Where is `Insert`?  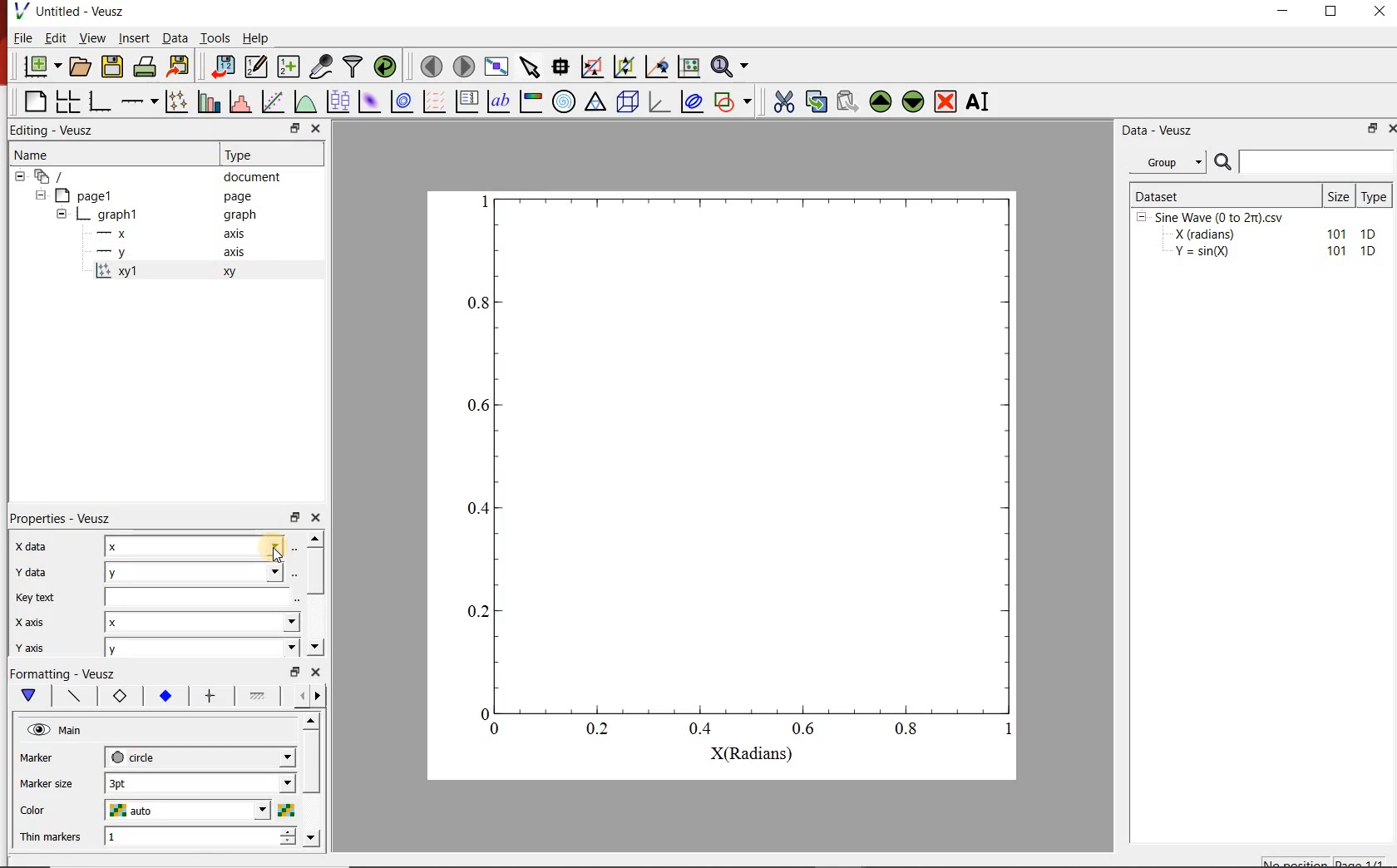 Insert is located at coordinates (135, 37).